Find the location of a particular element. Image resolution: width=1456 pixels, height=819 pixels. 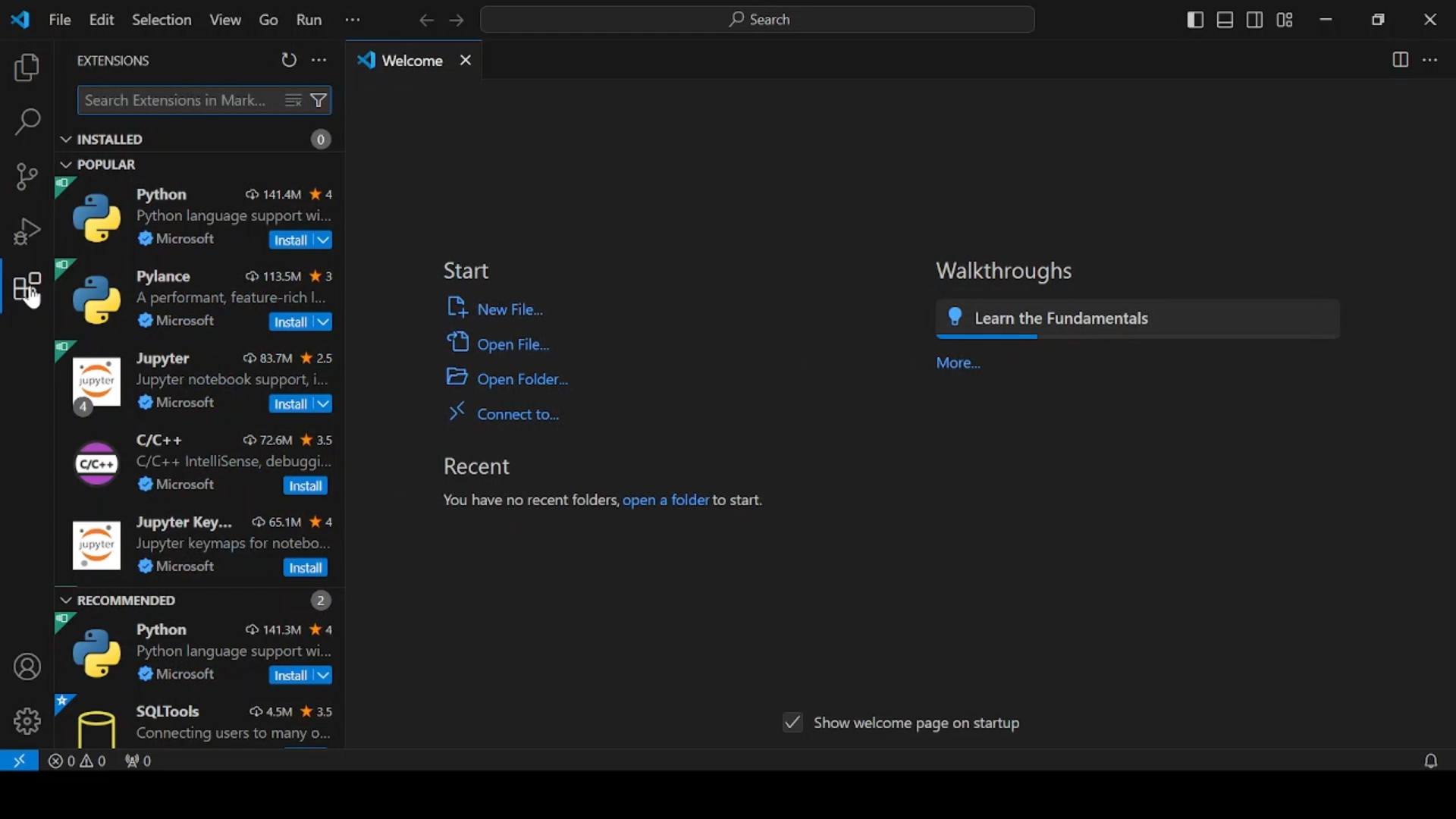

go forward is located at coordinates (457, 20).